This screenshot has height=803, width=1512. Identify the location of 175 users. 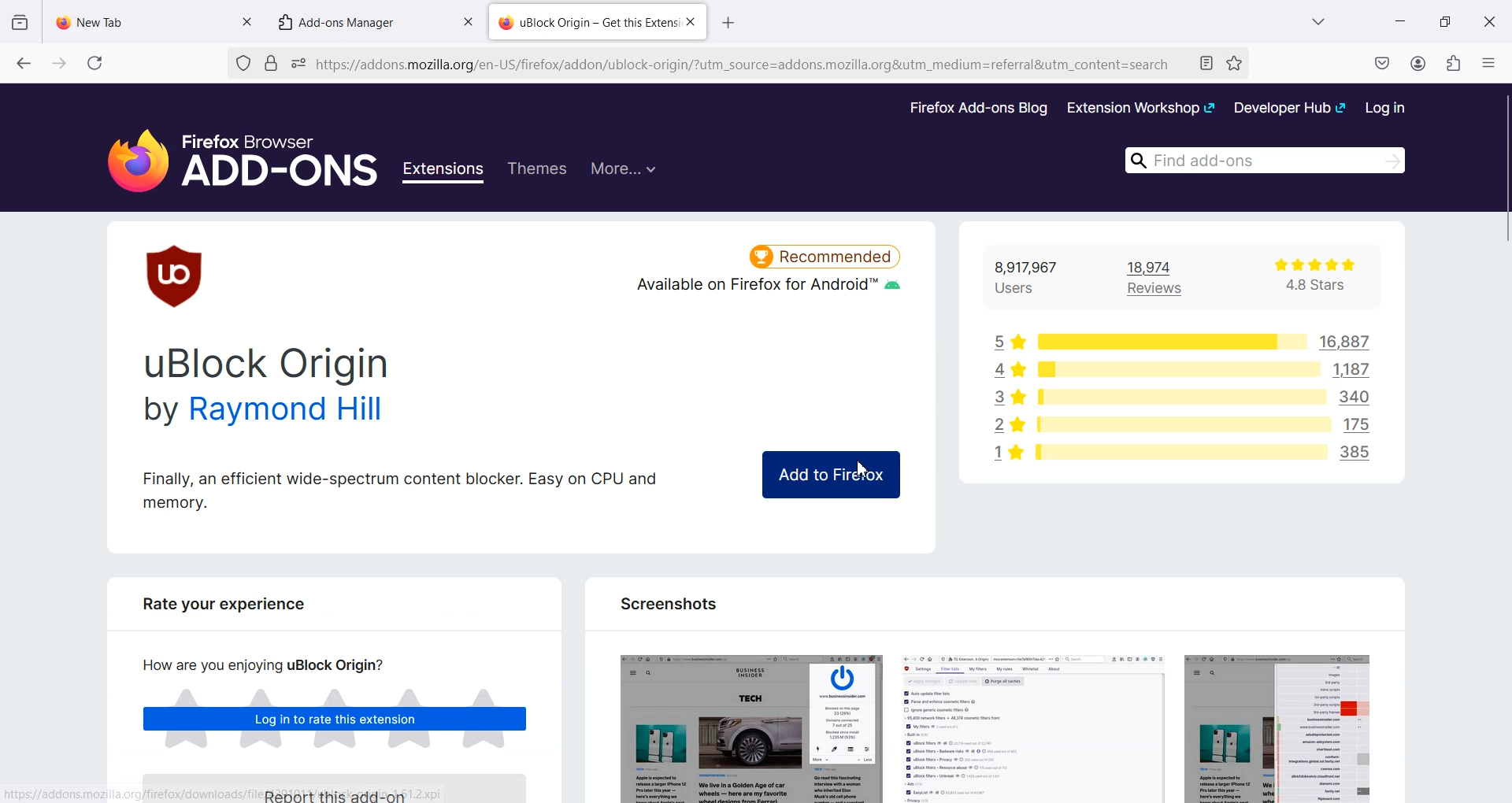
(1362, 423).